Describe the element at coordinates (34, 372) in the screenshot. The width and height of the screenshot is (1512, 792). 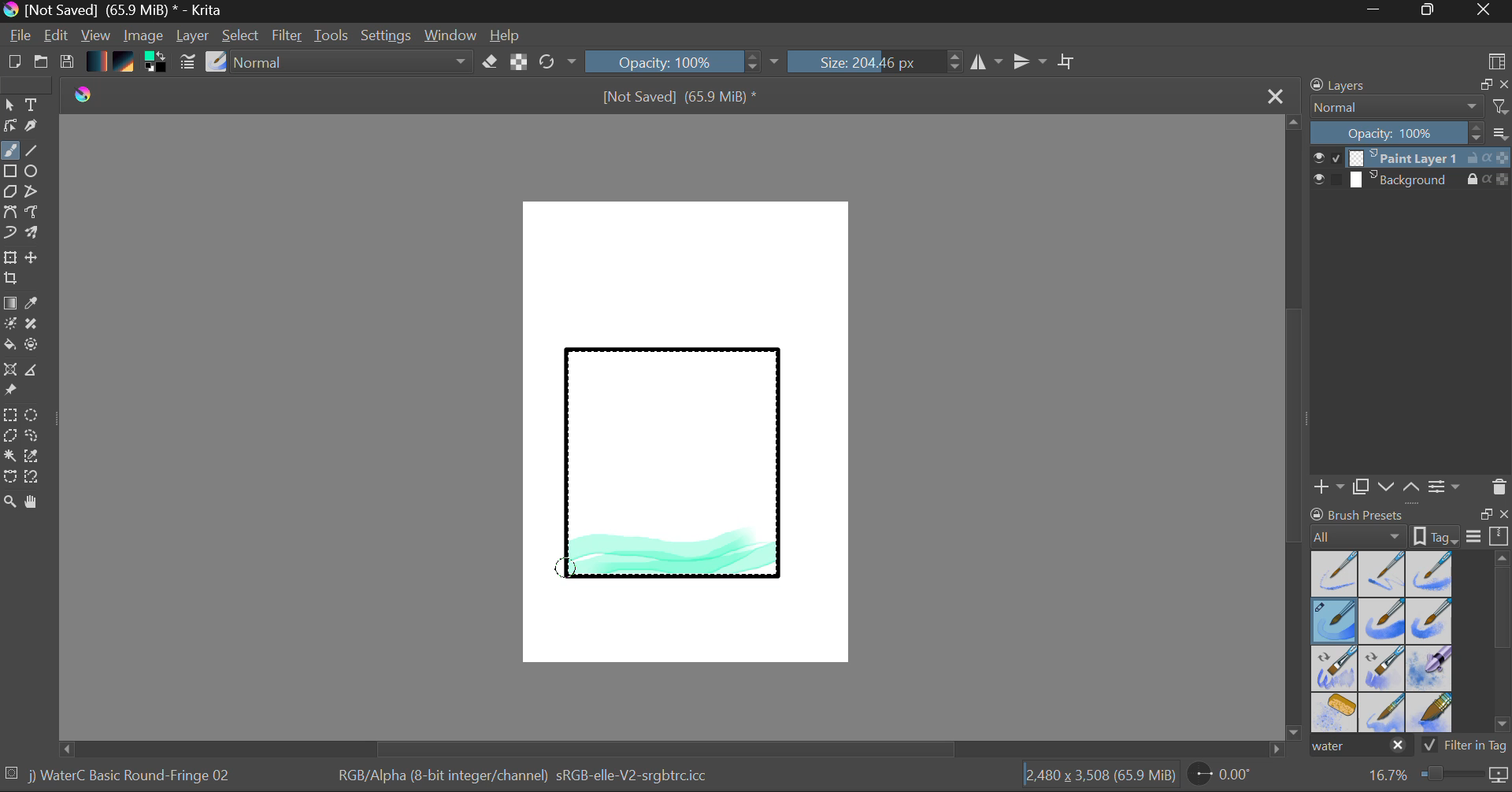
I see `Measurements` at that location.